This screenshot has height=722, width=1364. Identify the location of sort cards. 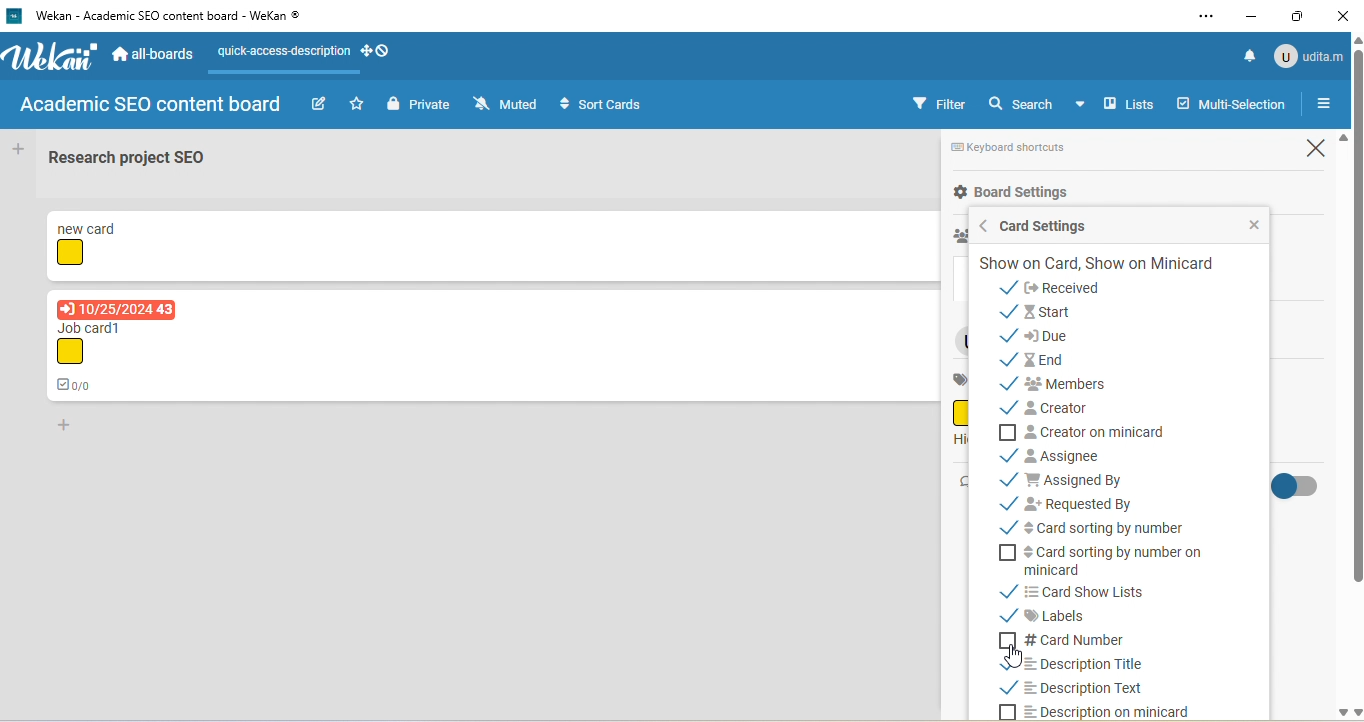
(601, 104).